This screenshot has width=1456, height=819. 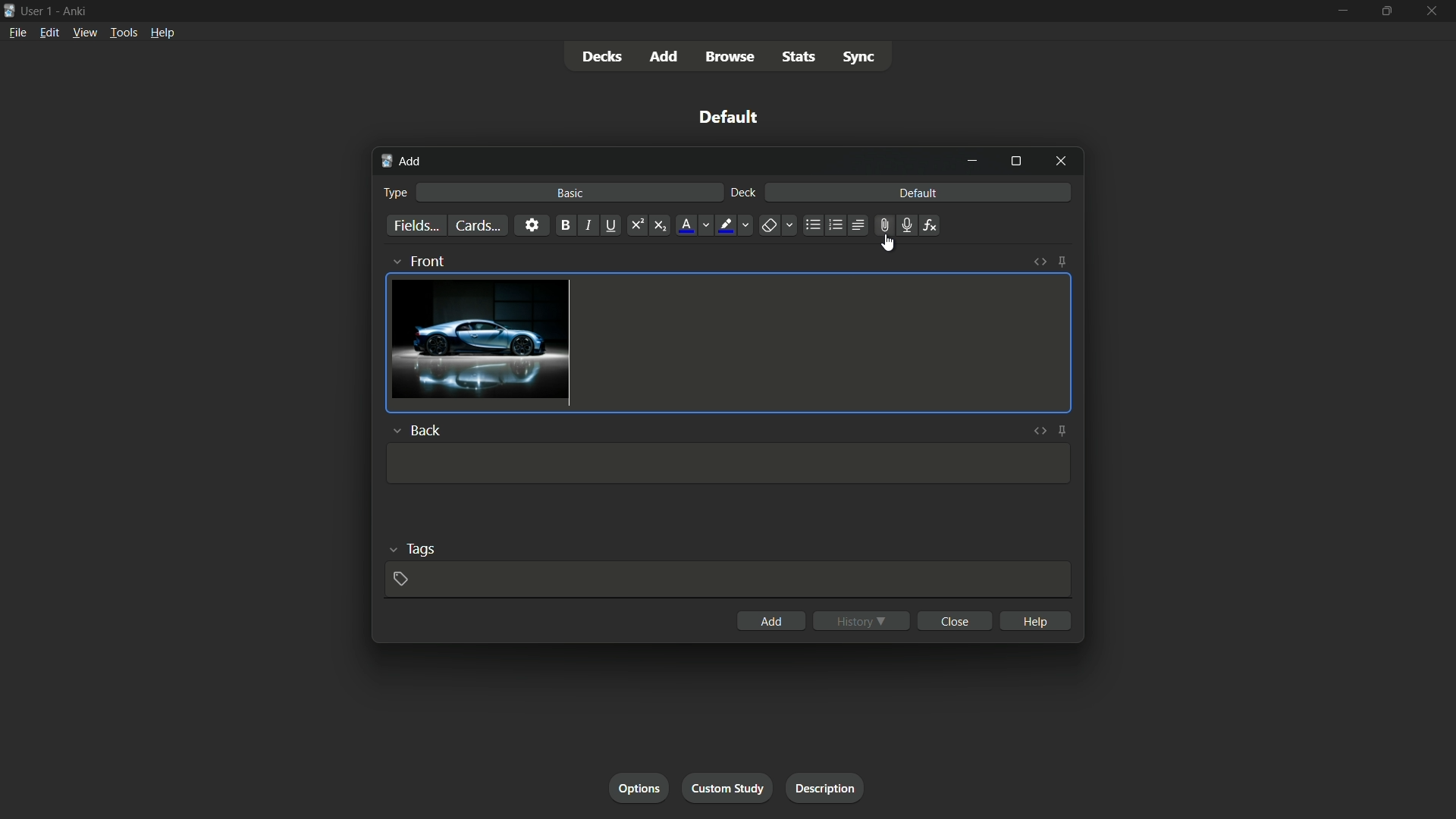 I want to click on tags, so click(x=417, y=547).